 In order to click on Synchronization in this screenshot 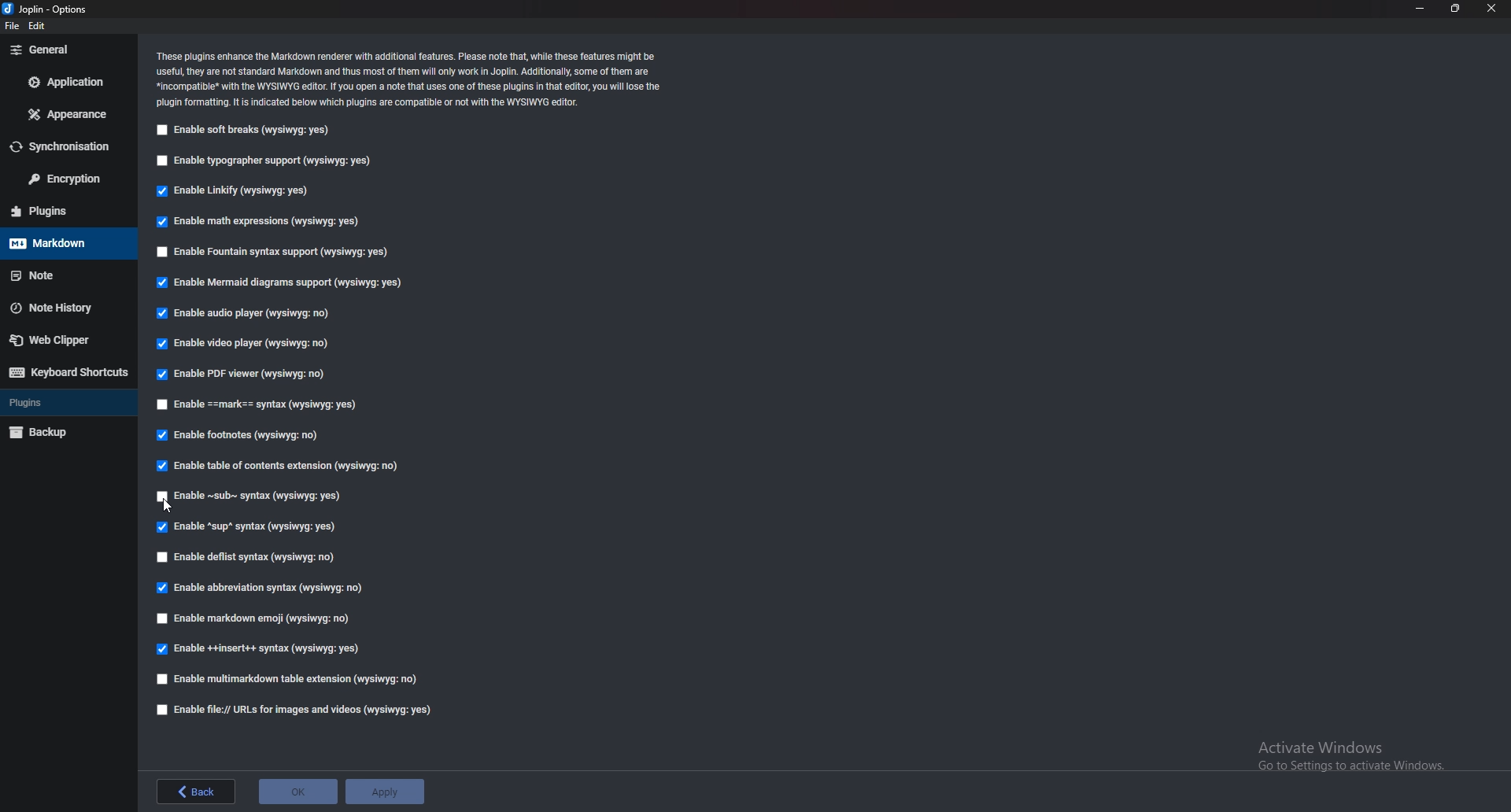, I will do `click(68, 147)`.